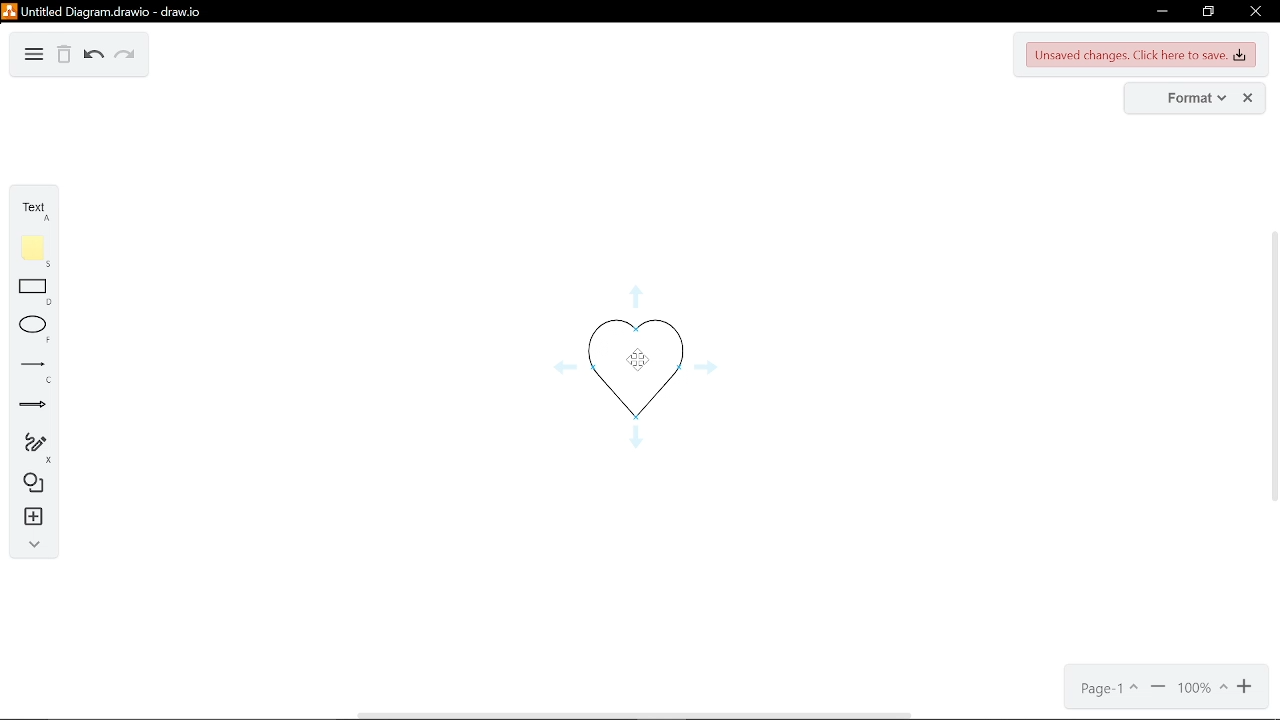  Describe the element at coordinates (1248, 98) in the screenshot. I see `close` at that location.